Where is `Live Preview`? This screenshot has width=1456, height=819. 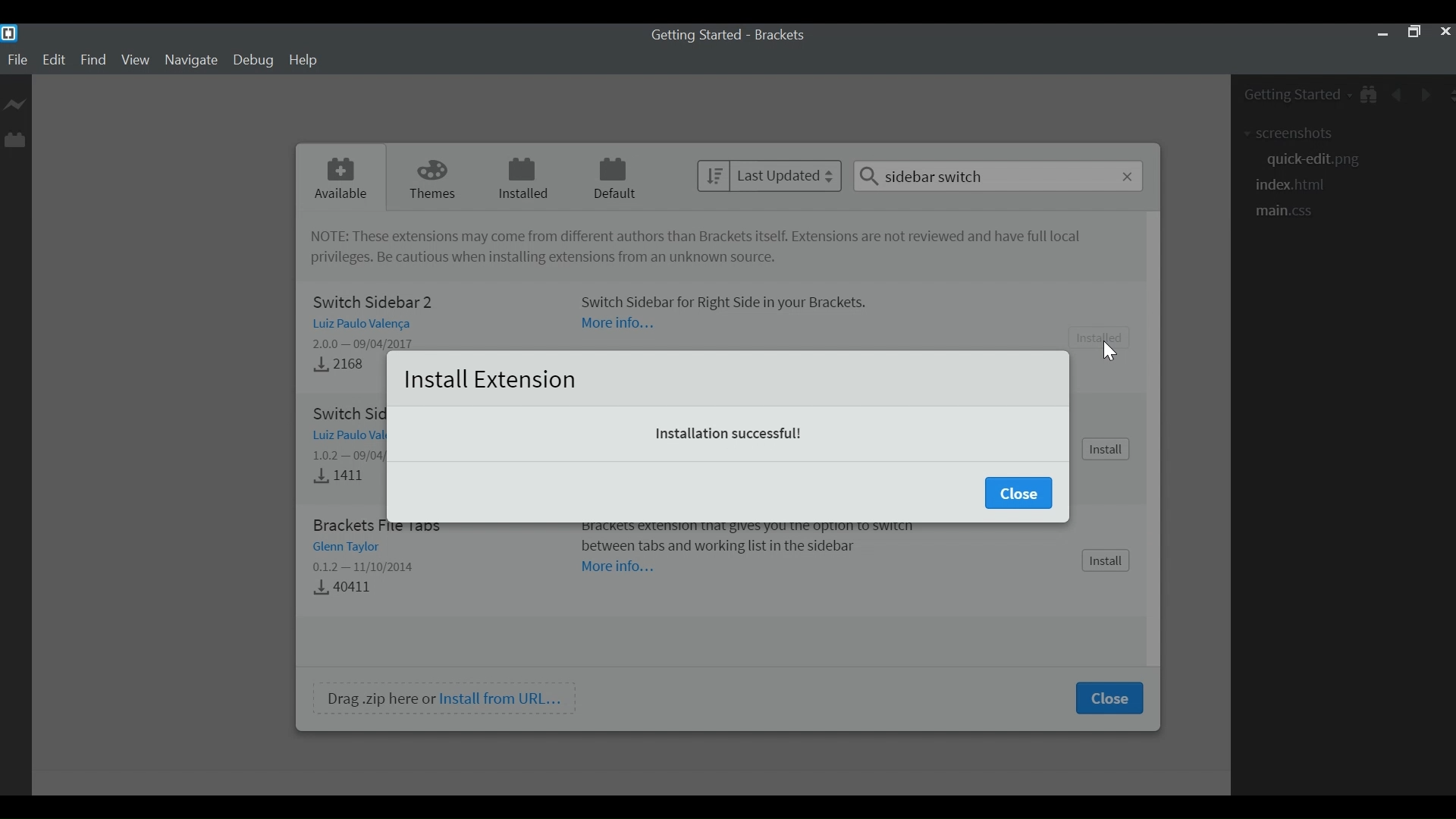
Live Preview is located at coordinates (16, 107).